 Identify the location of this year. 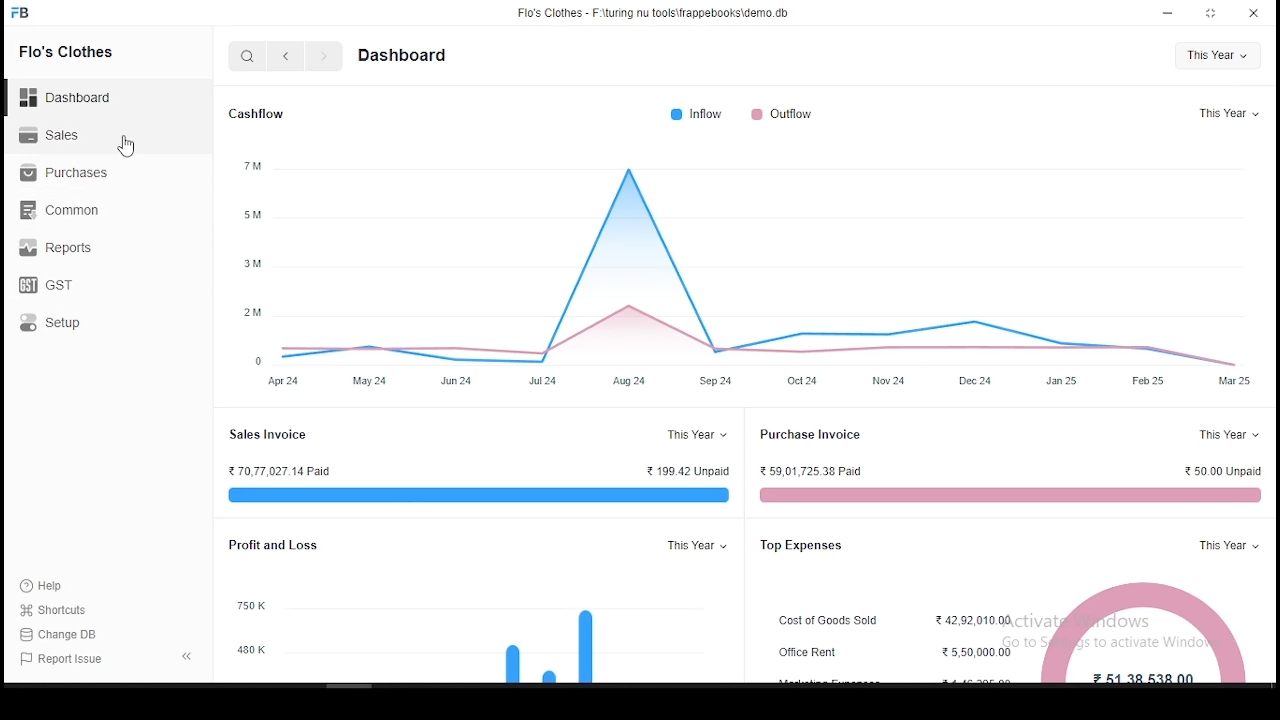
(694, 434).